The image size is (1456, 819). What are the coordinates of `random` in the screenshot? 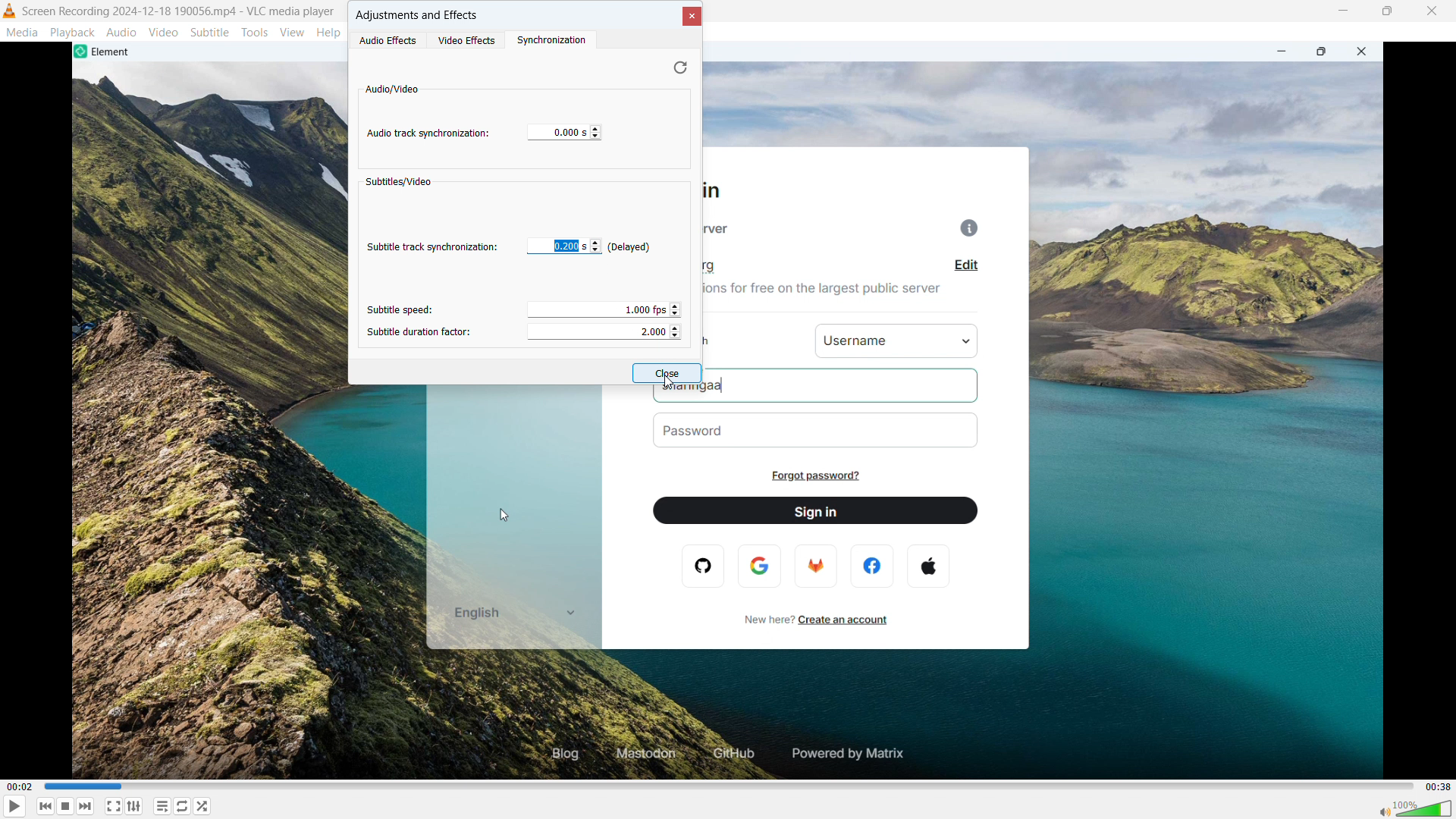 It's located at (202, 806).